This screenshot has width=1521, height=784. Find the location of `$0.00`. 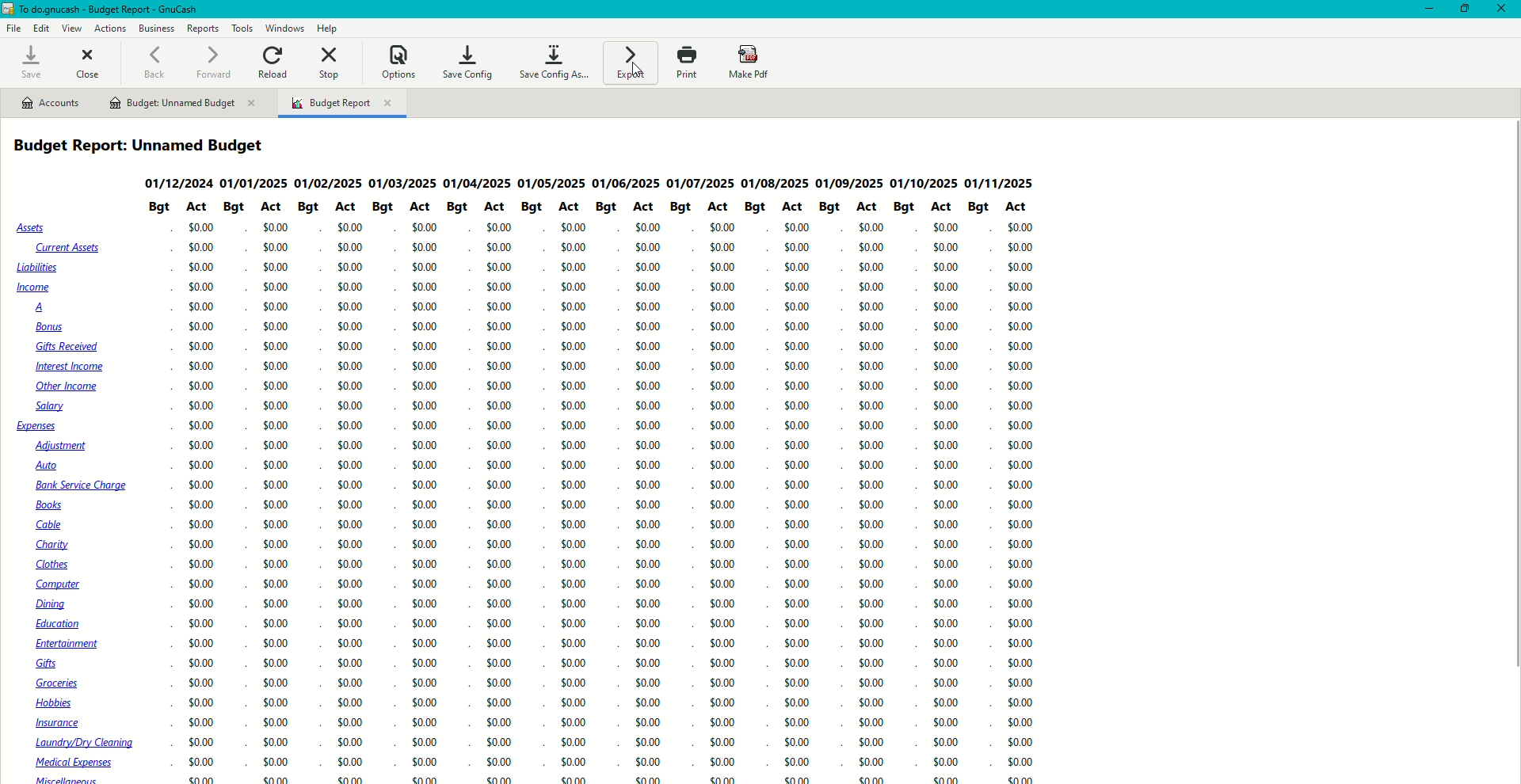

$0.00 is located at coordinates (874, 466).